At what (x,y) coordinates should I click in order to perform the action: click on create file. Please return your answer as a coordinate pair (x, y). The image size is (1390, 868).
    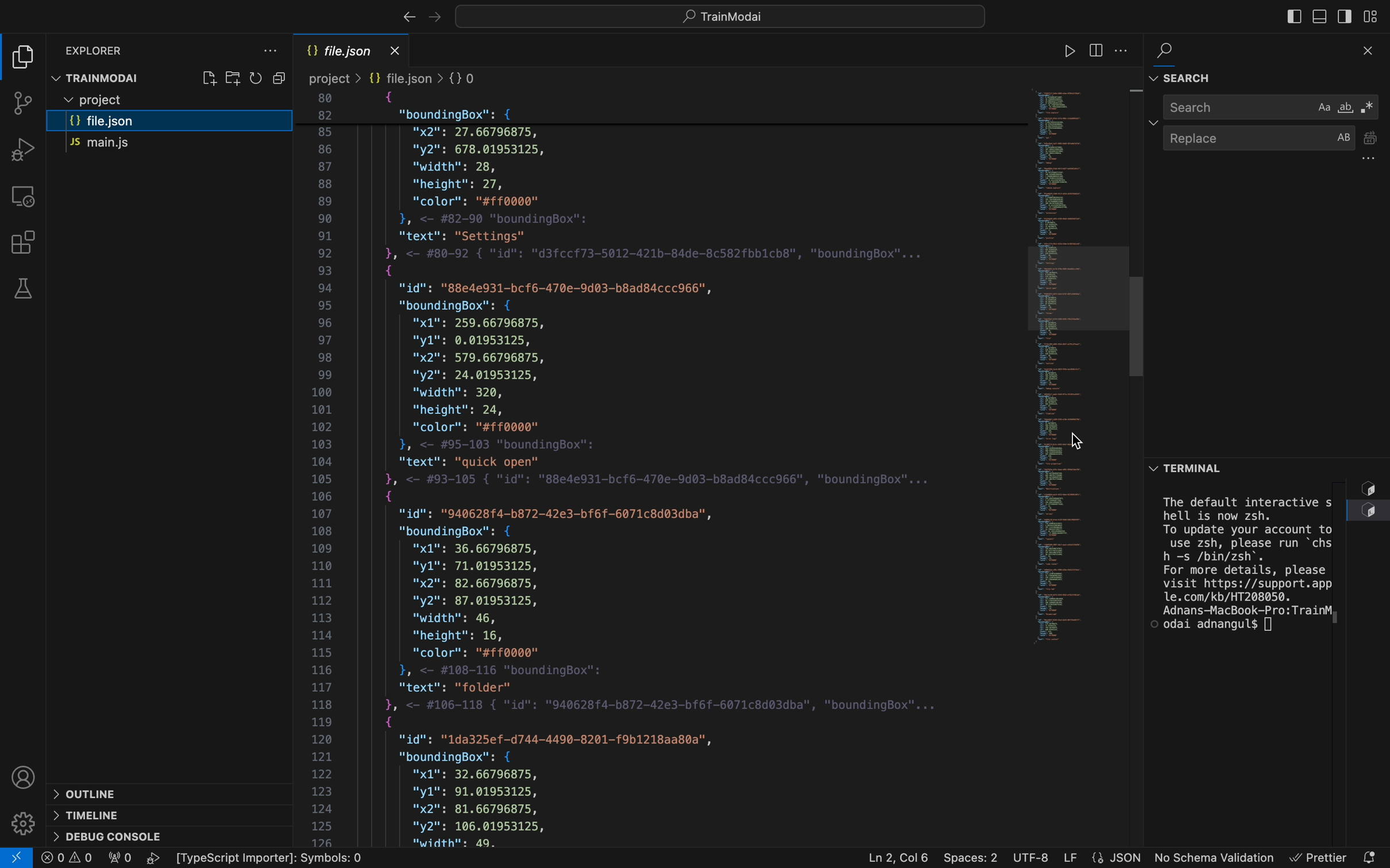
    Looking at the image, I should click on (208, 76).